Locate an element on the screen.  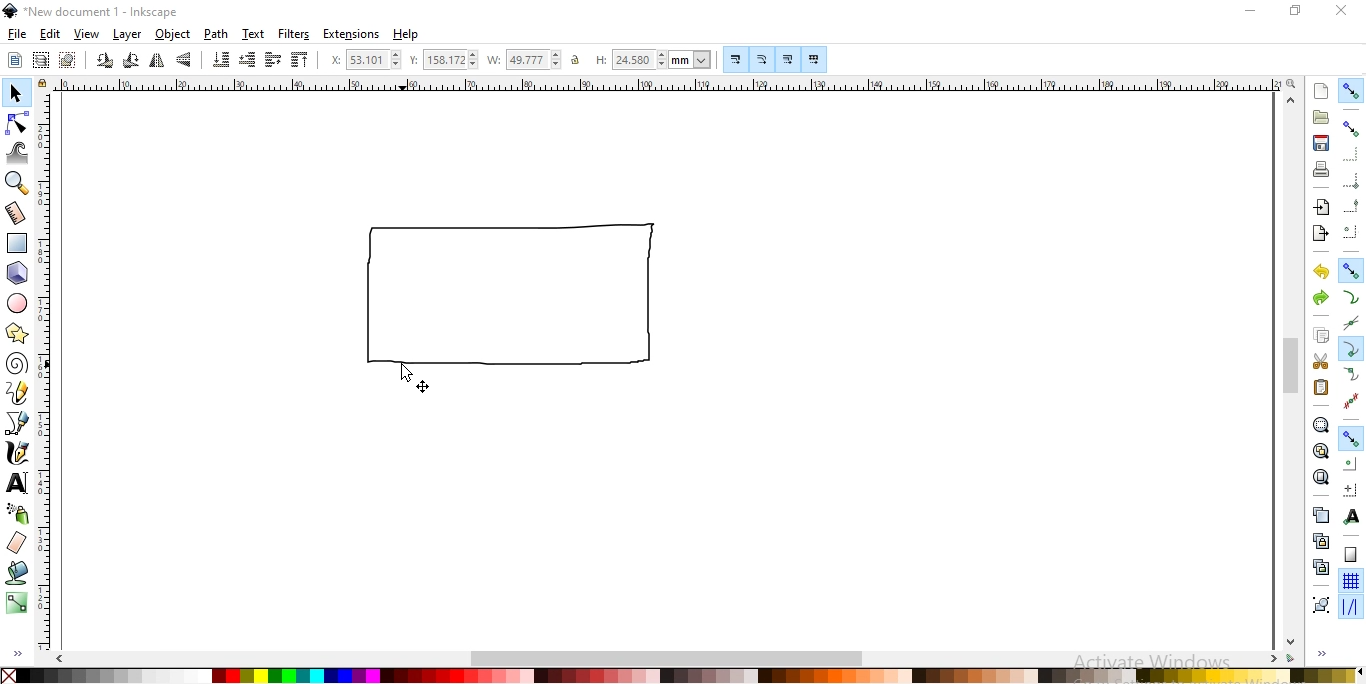
create 3d boxes is located at coordinates (17, 274).